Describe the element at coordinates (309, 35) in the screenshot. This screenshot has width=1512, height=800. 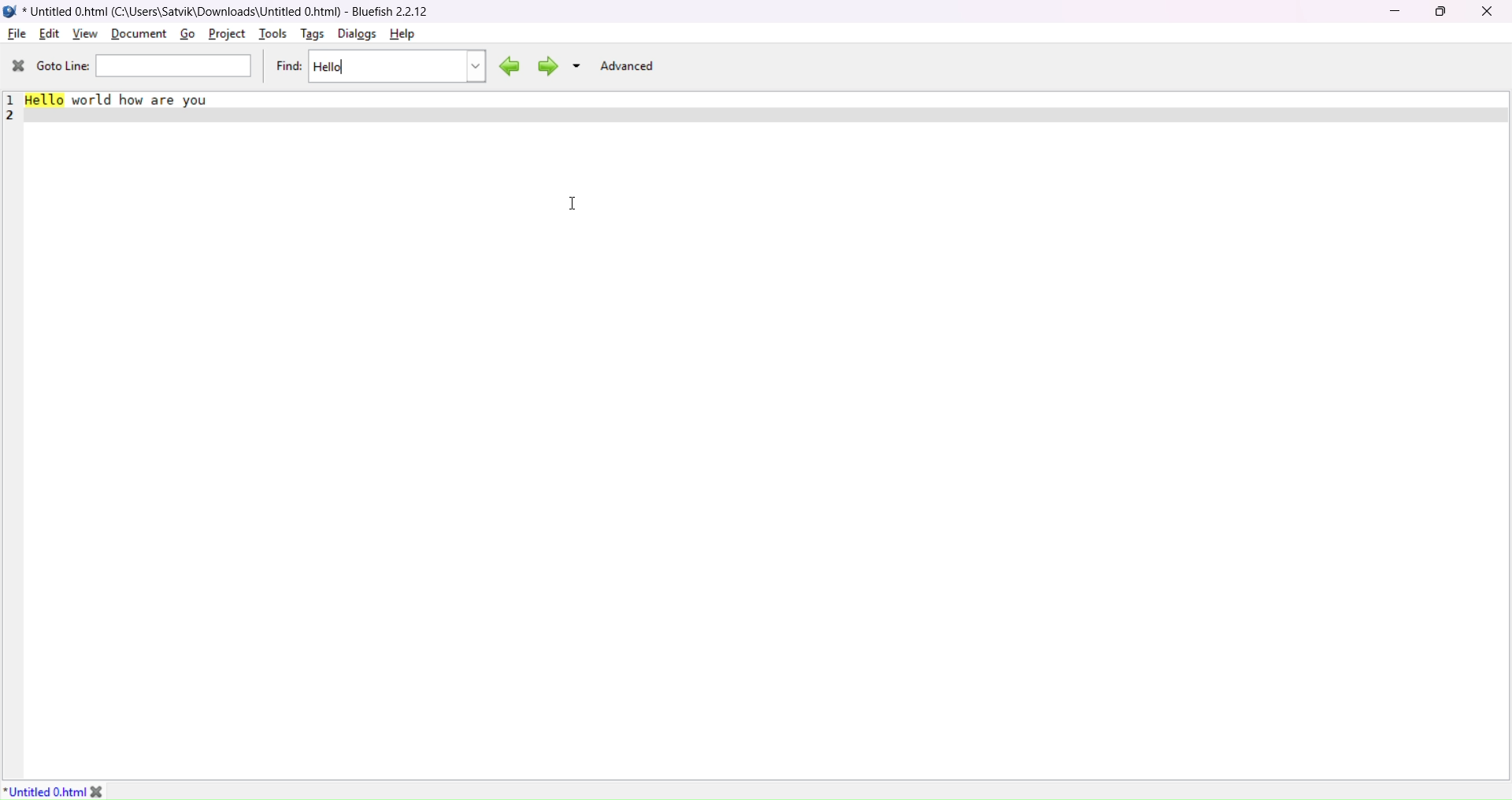
I see `tags` at that location.